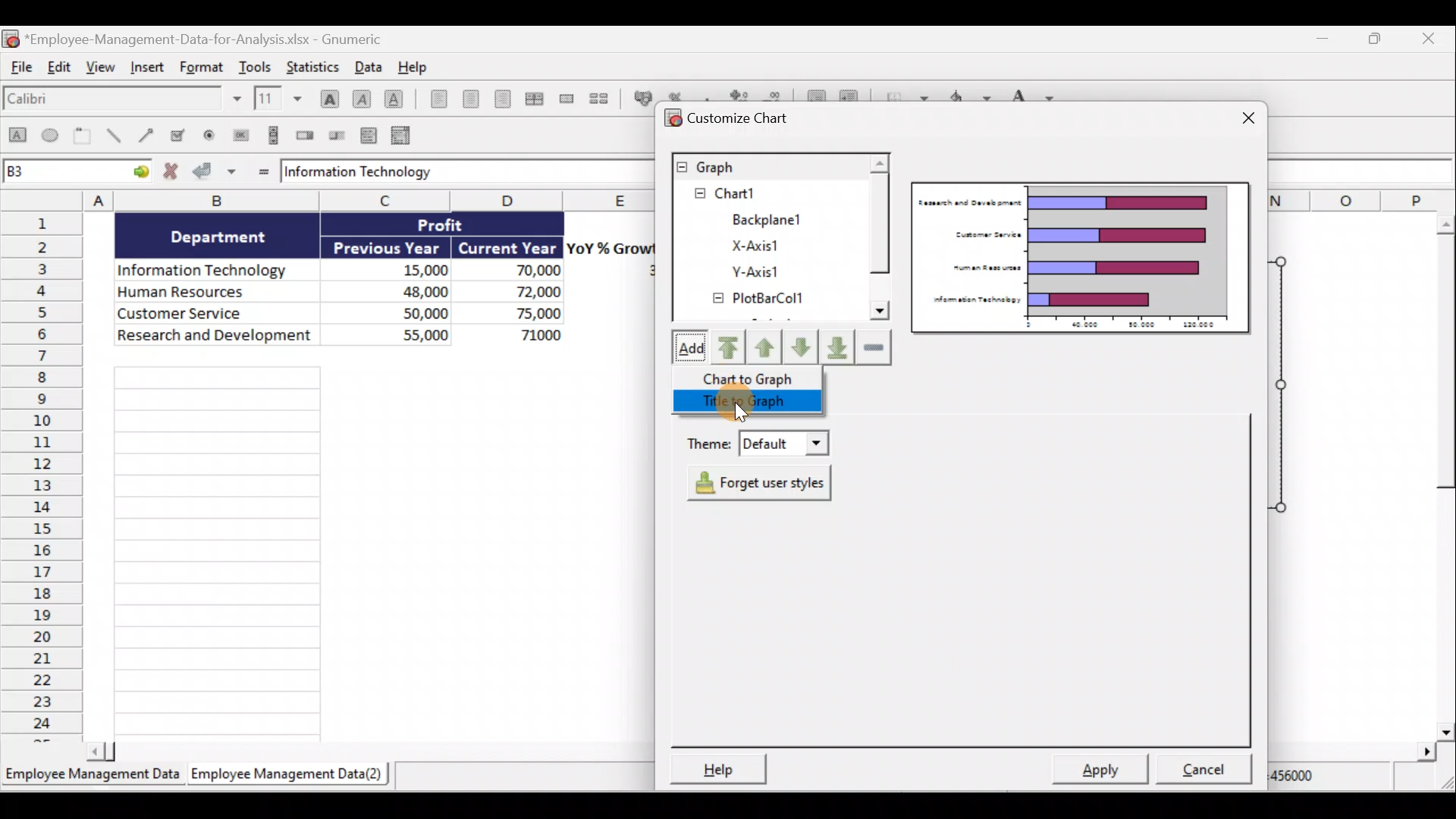 This screenshot has width=1456, height=819. I want to click on Previous Year, so click(388, 245).